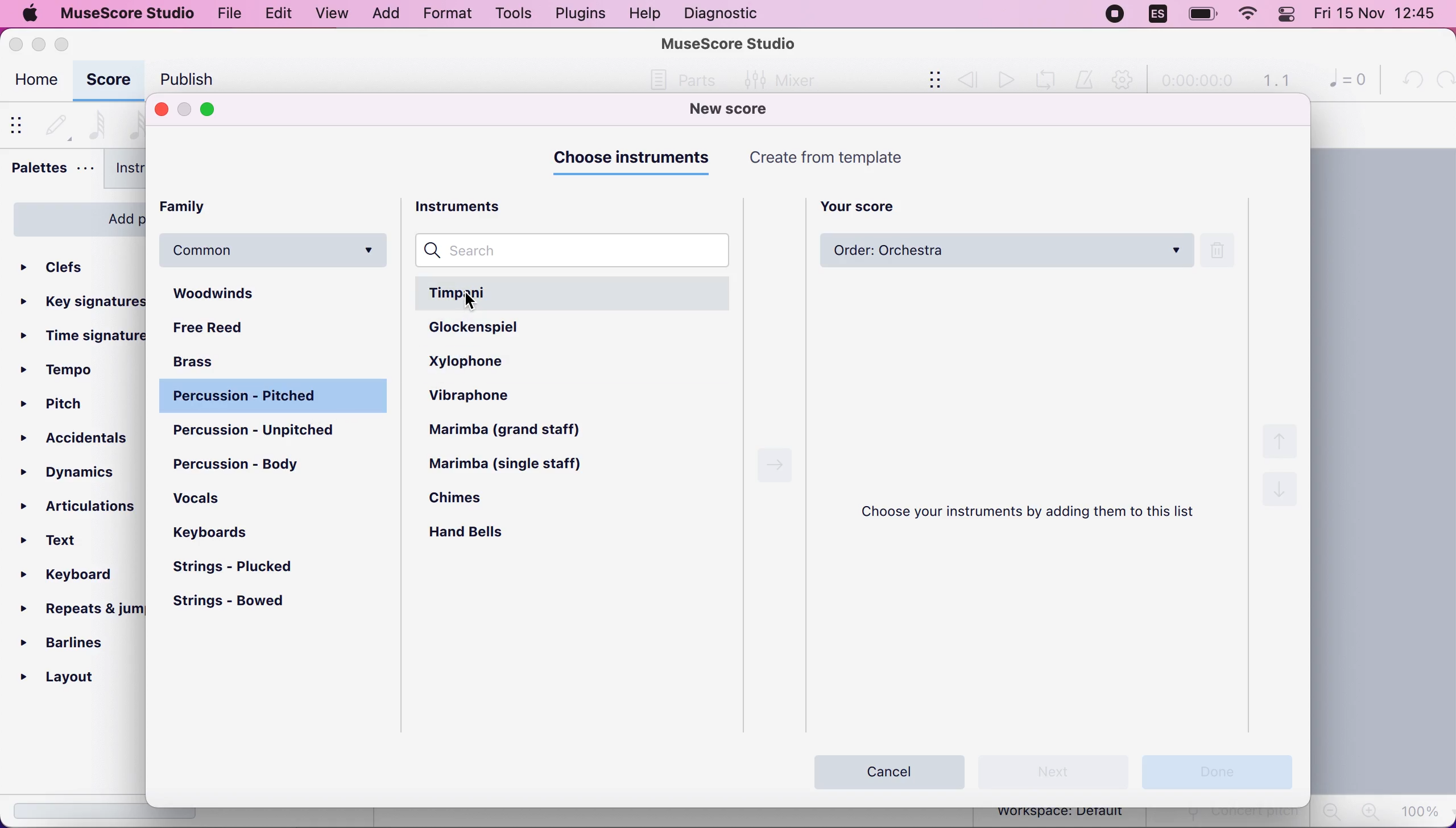 The height and width of the screenshot is (828, 1456). I want to click on search, so click(577, 250).